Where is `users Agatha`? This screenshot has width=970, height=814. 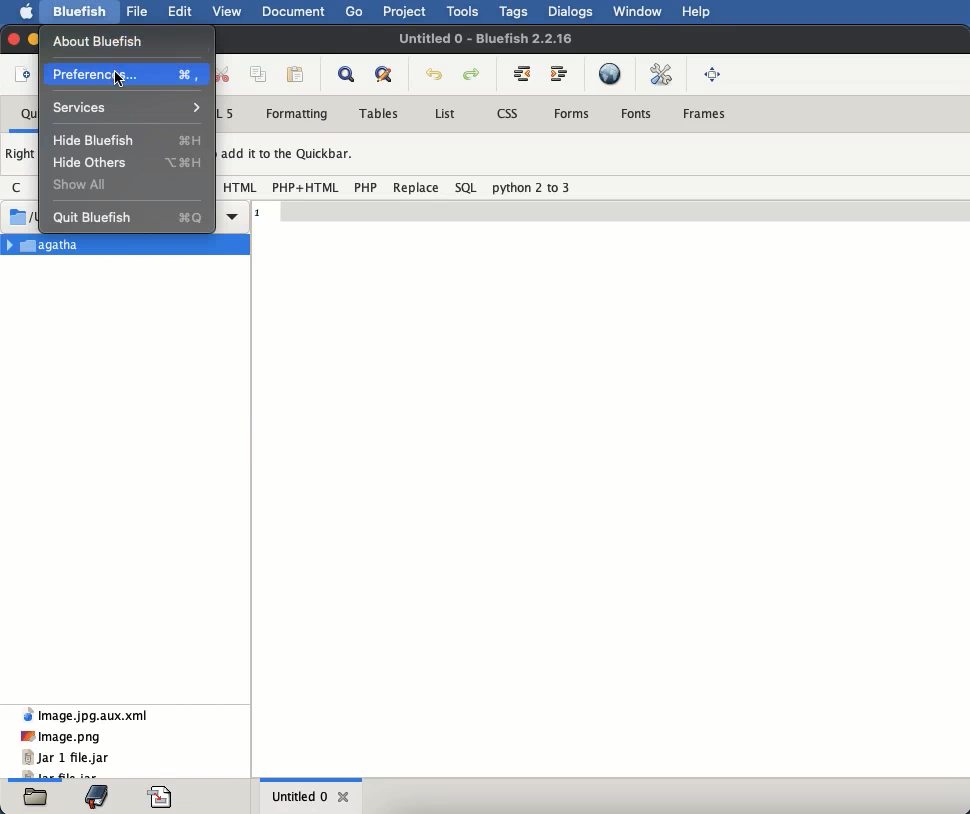
users Agatha is located at coordinates (234, 216).